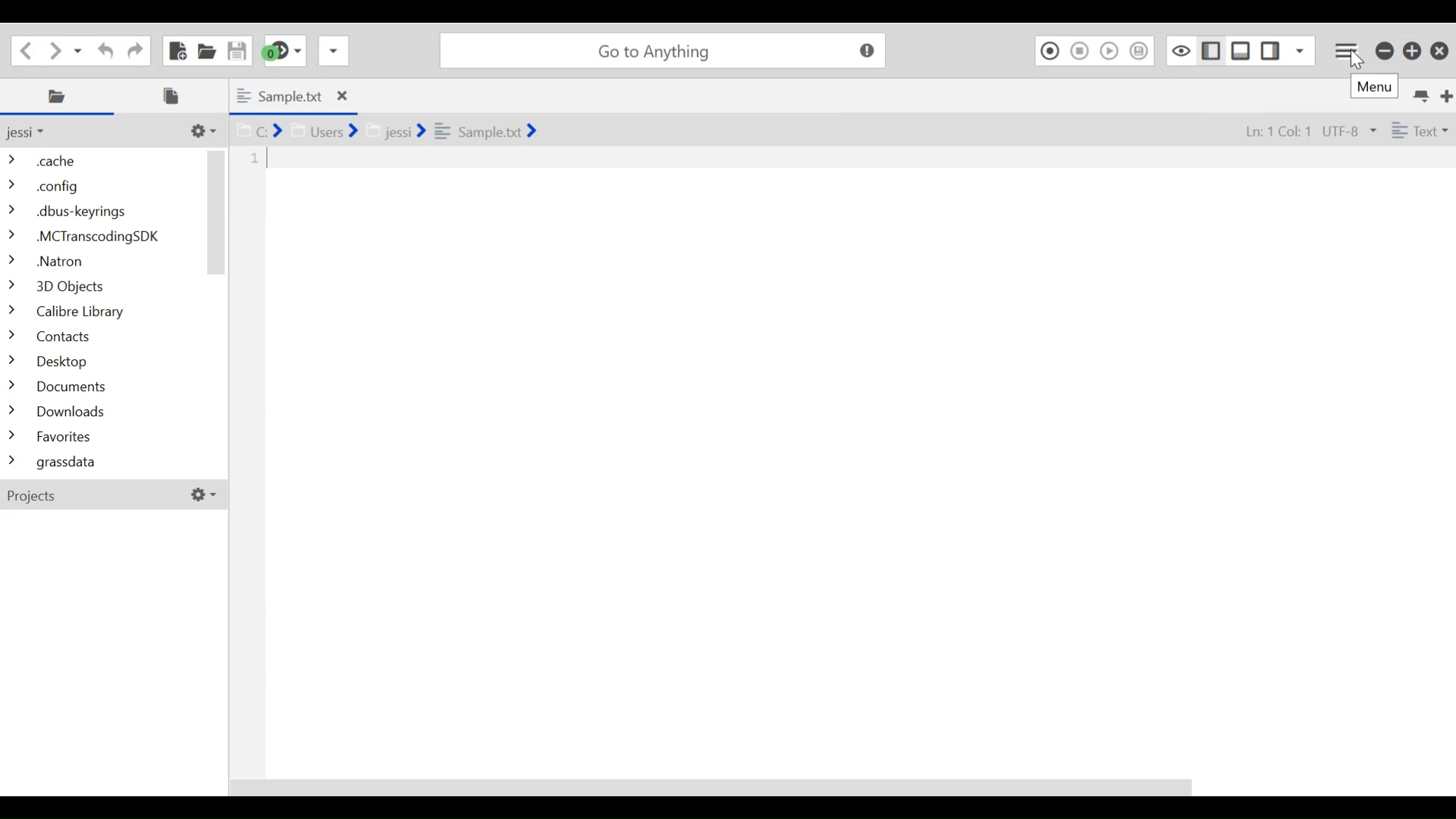 The image size is (1456, 819). Describe the element at coordinates (176, 96) in the screenshot. I see `Open Files` at that location.